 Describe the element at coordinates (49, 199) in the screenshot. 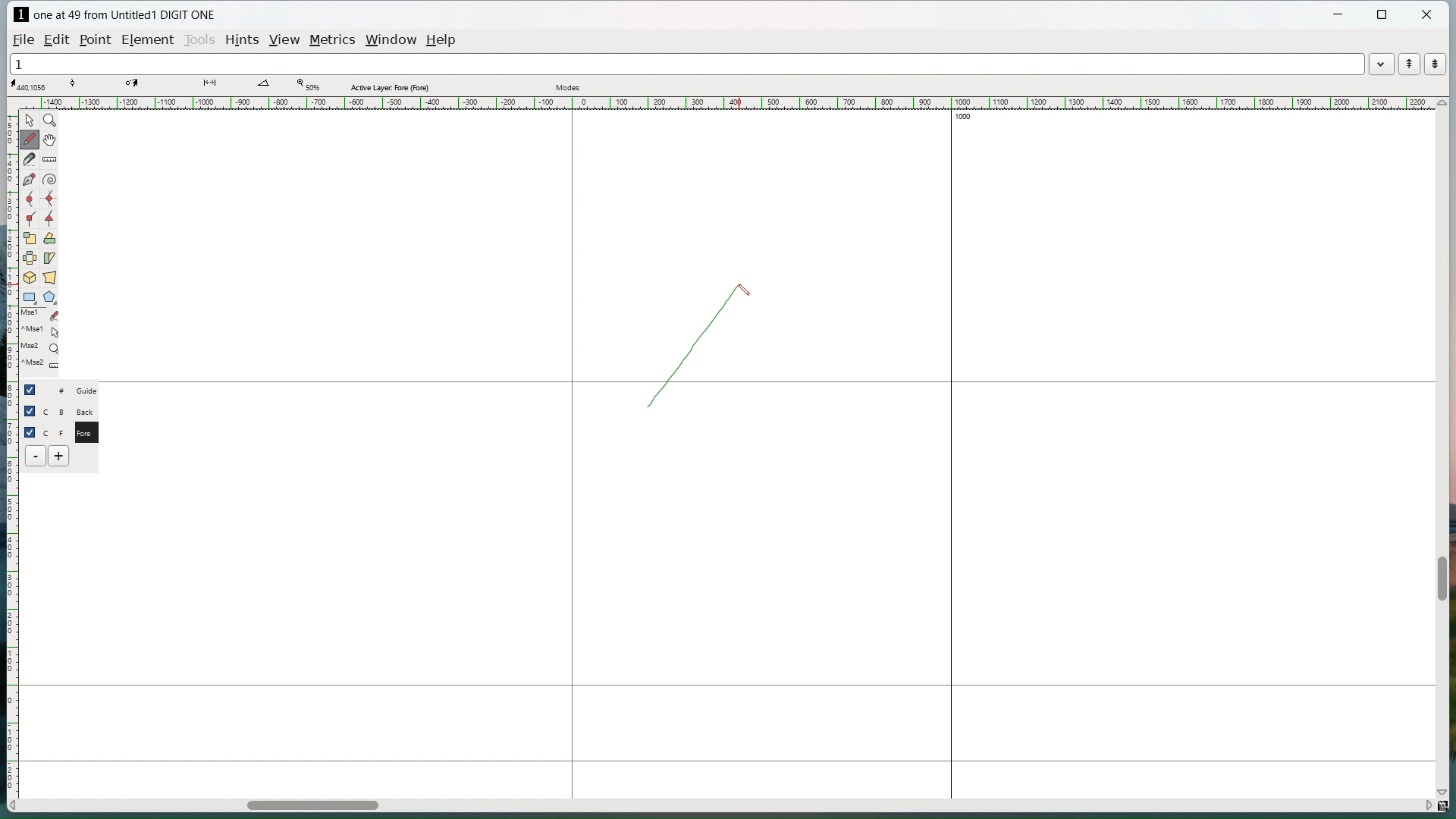

I see `add a curve point always either vertical or horizontal` at that location.